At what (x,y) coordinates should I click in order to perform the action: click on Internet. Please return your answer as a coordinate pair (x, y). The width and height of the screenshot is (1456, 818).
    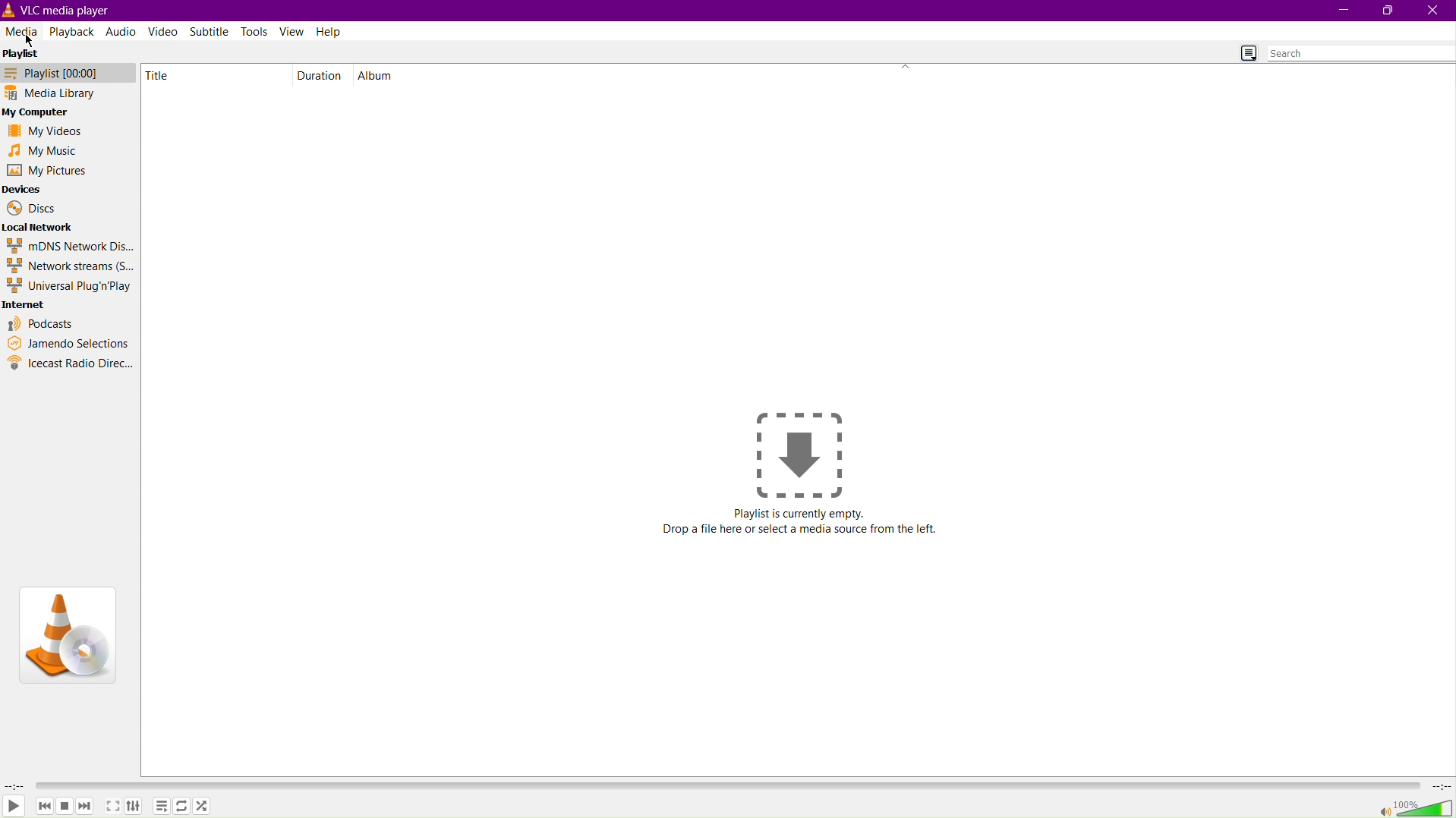
    Looking at the image, I should click on (29, 306).